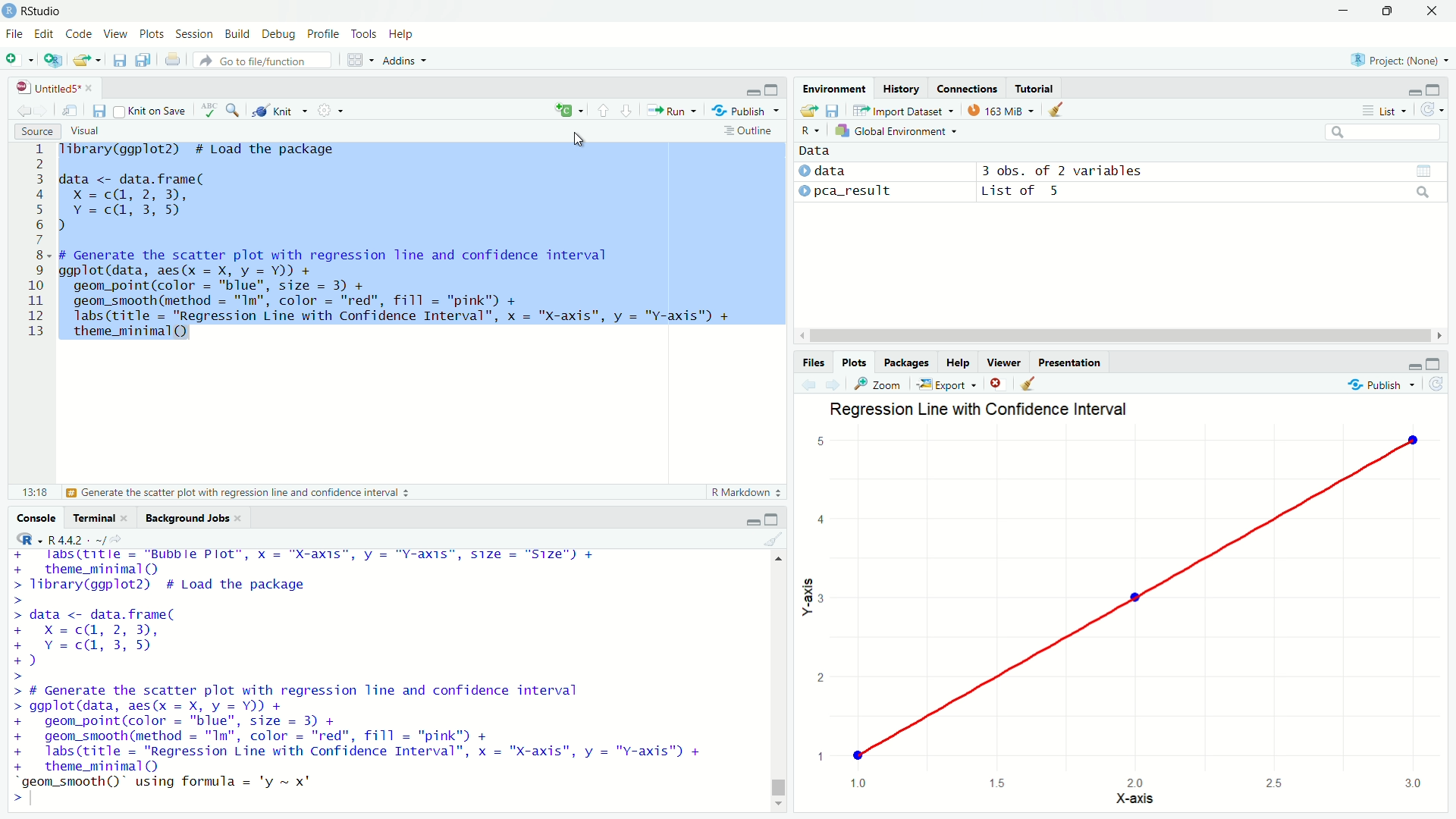  What do you see at coordinates (569, 109) in the screenshot?
I see `insert a new code/chunk` at bounding box center [569, 109].